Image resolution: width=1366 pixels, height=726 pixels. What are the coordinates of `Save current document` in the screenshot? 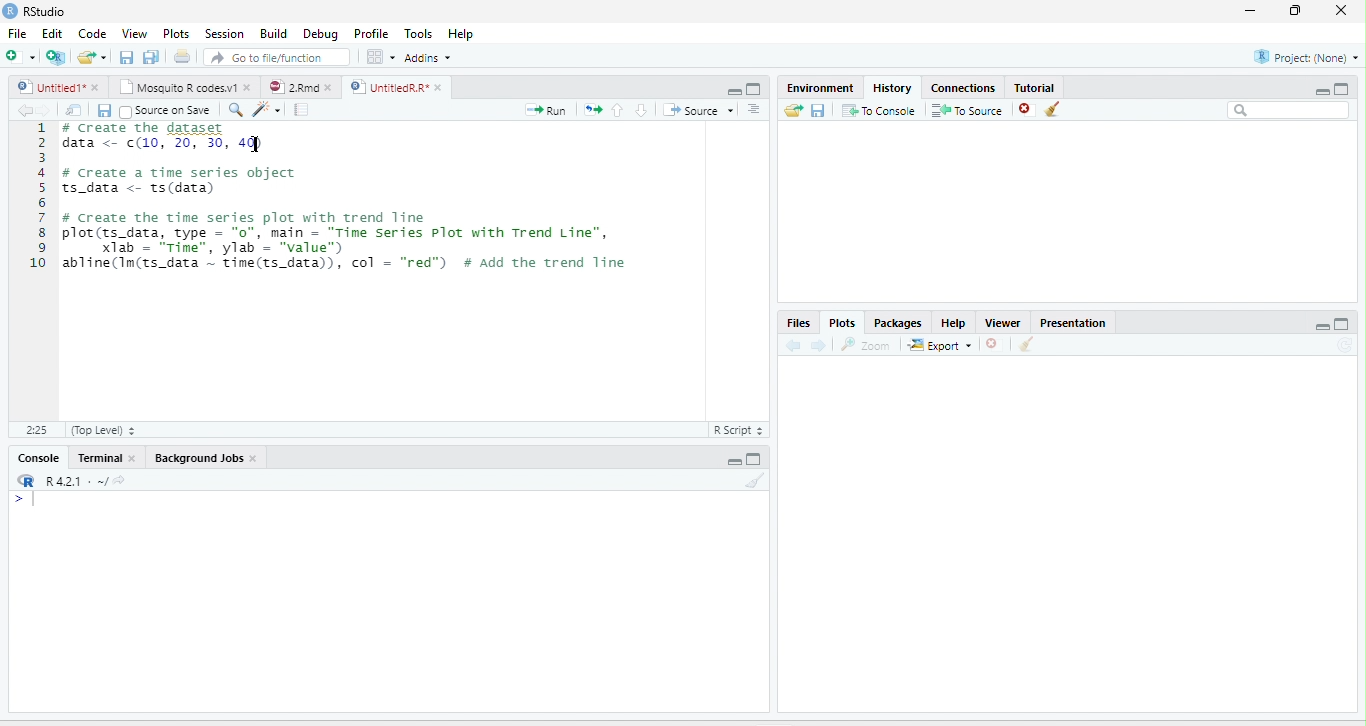 It's located at (104, 111).